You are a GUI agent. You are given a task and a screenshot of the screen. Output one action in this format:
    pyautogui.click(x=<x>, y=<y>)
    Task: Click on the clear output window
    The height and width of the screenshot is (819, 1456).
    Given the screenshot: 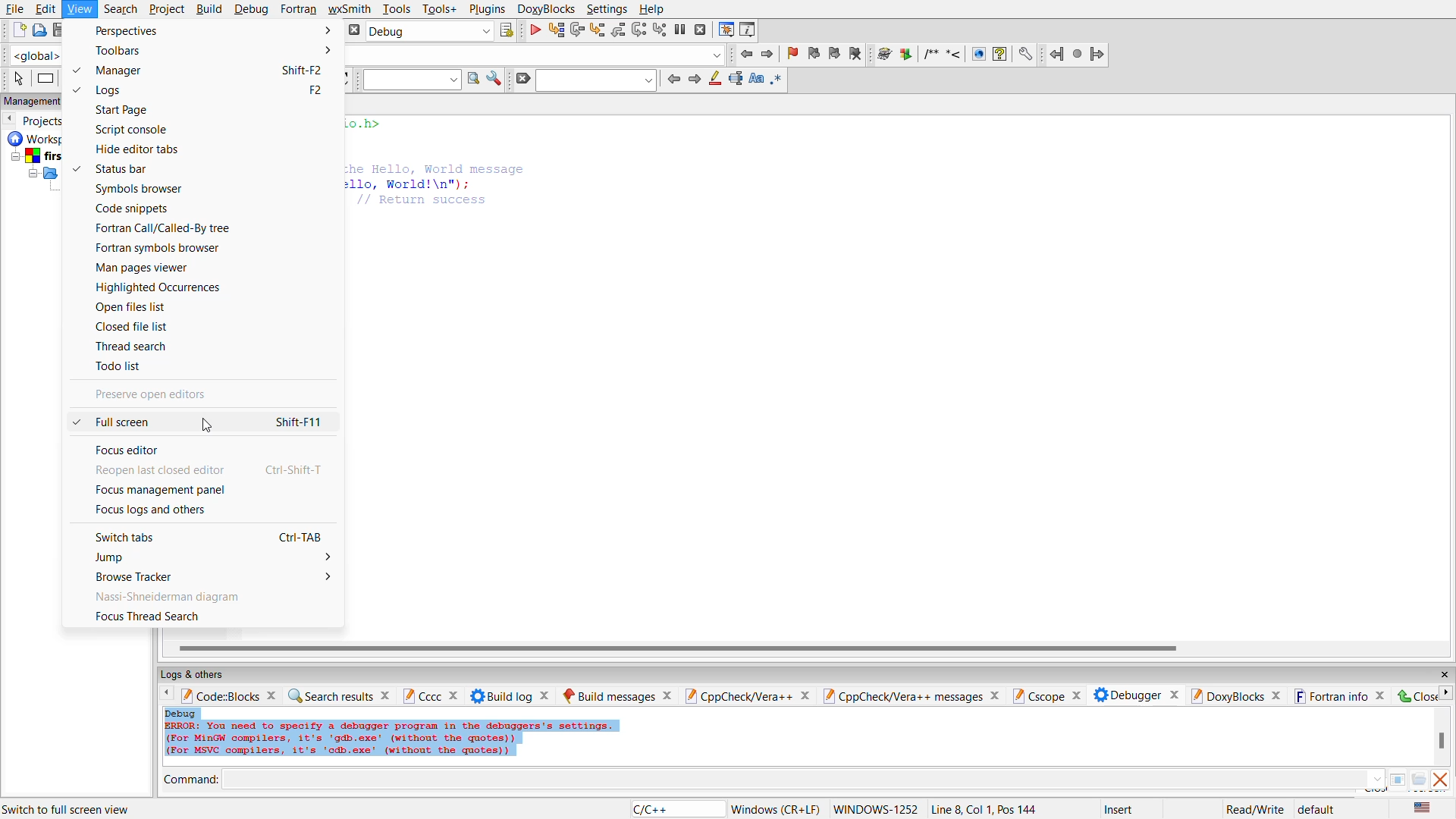 What is the action you would take?
    pyautogui.click(x=1442, y=781)
    